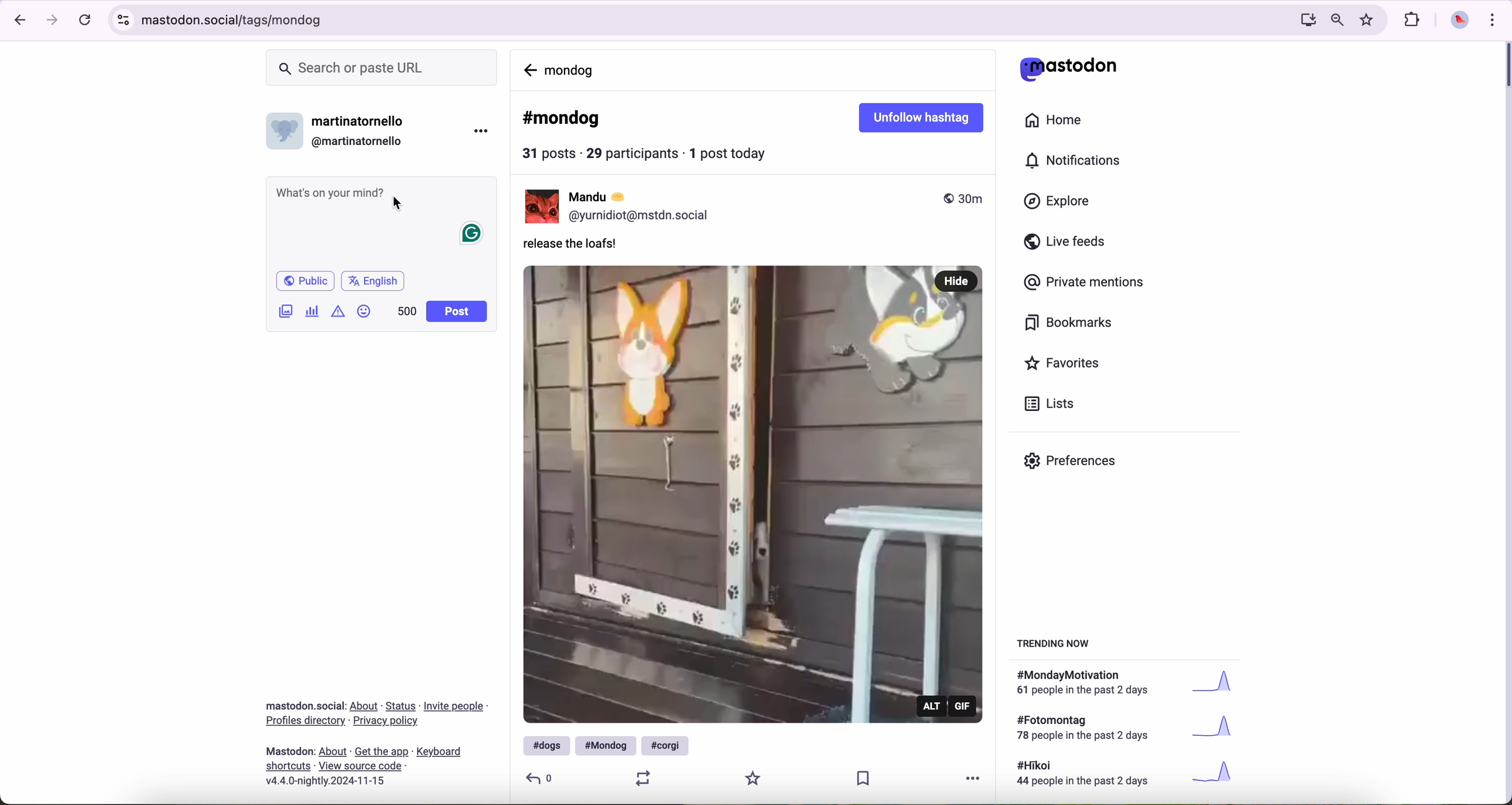  I want to click on graph, so click(1219, 730).